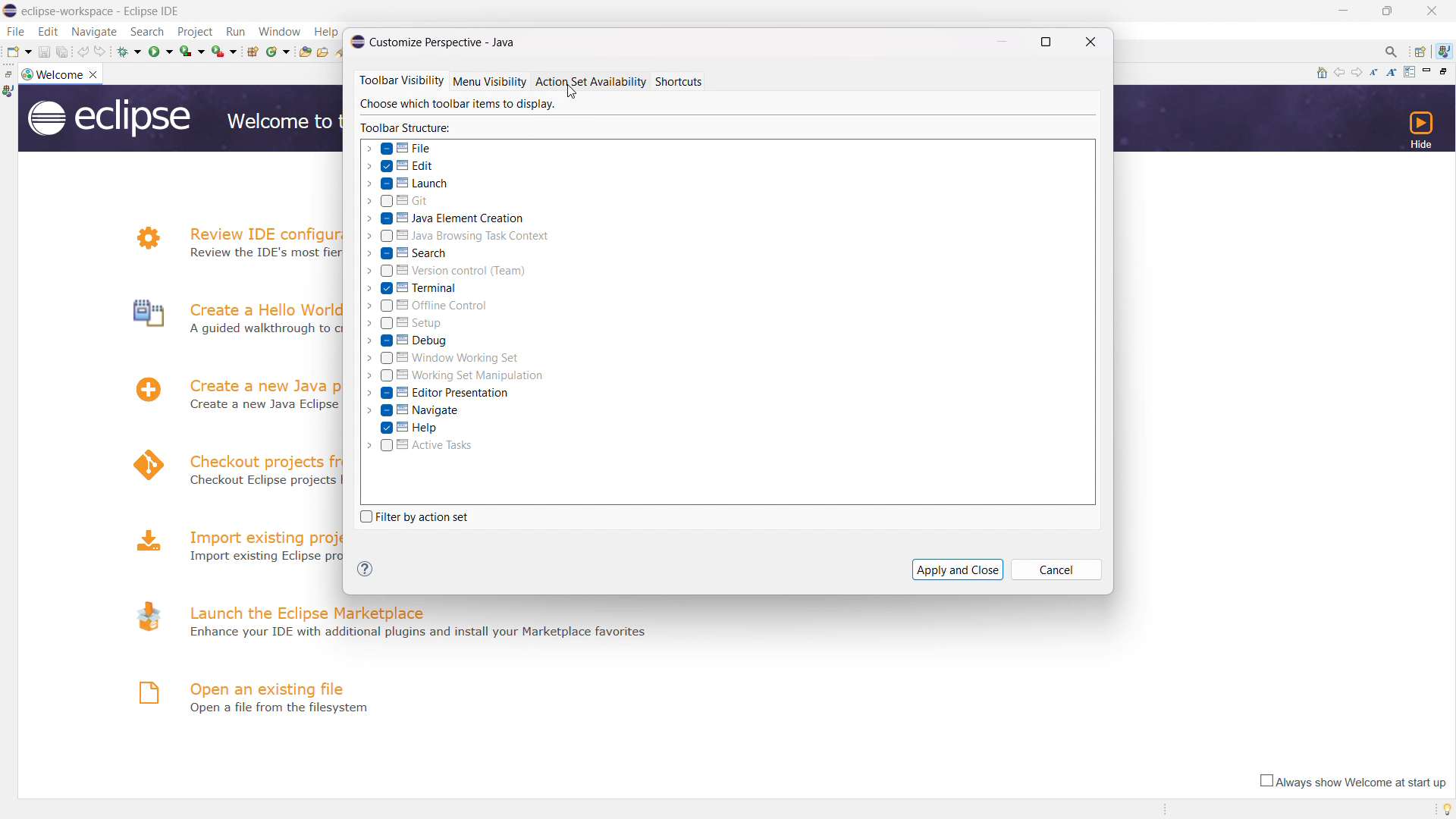  Describe the element at coordinates (308, 610) in the screenshot. I see `launch the eclipse marketplace` at that location.